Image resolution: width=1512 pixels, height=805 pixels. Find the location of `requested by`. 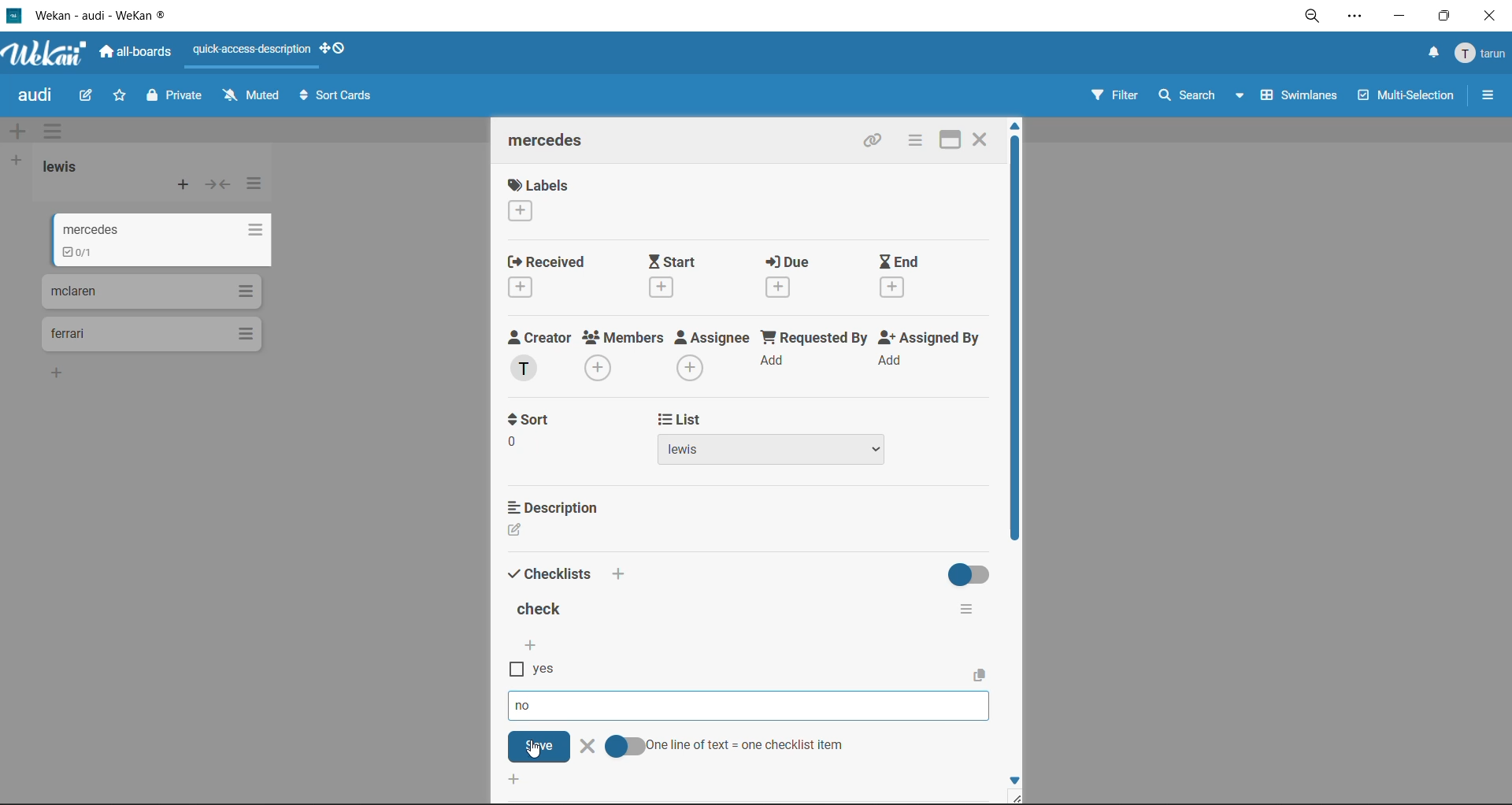

requested by is located at coordinates (816, 354).